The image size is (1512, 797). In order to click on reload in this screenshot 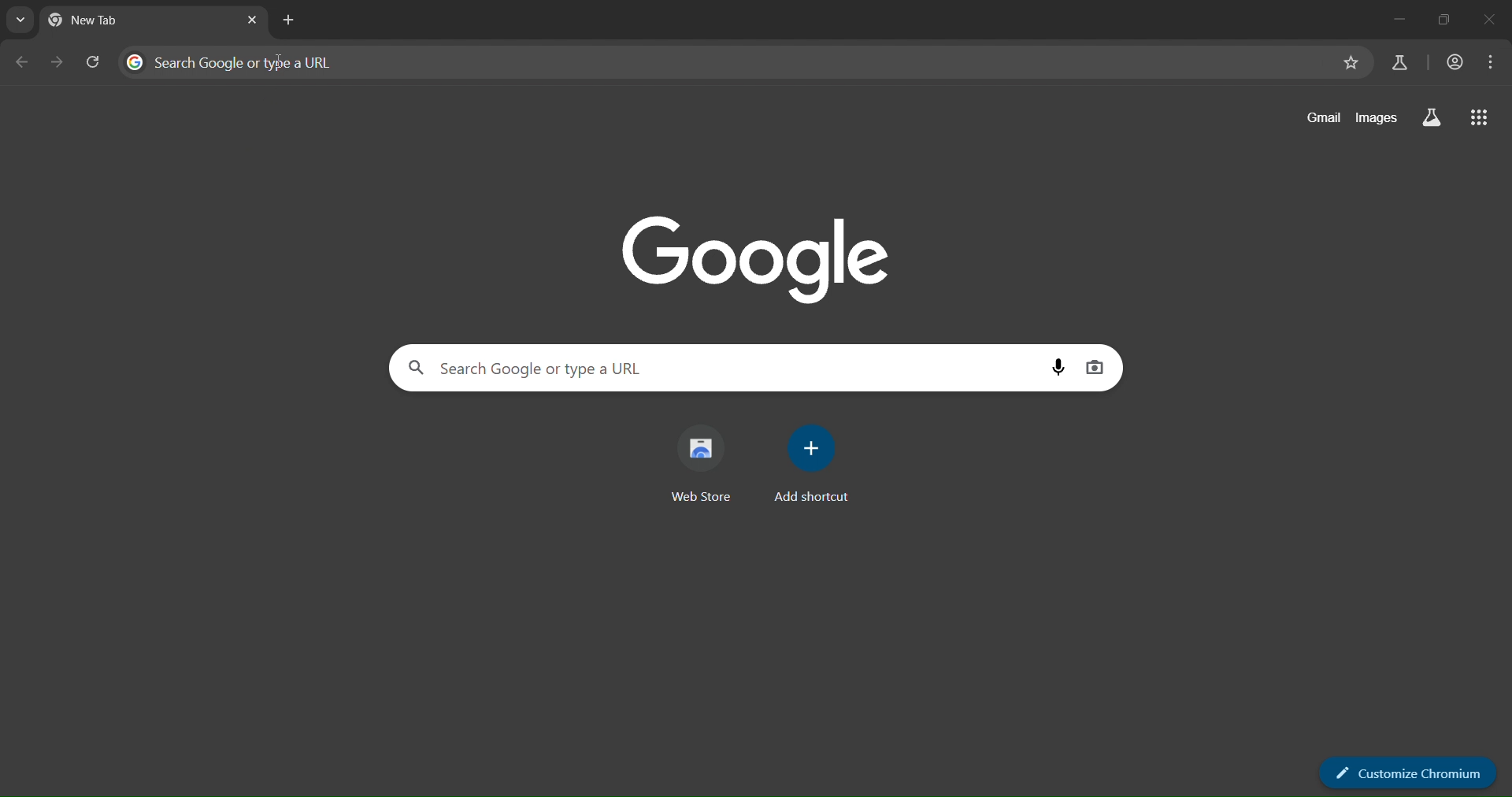, I will do `click(94, 61)`.